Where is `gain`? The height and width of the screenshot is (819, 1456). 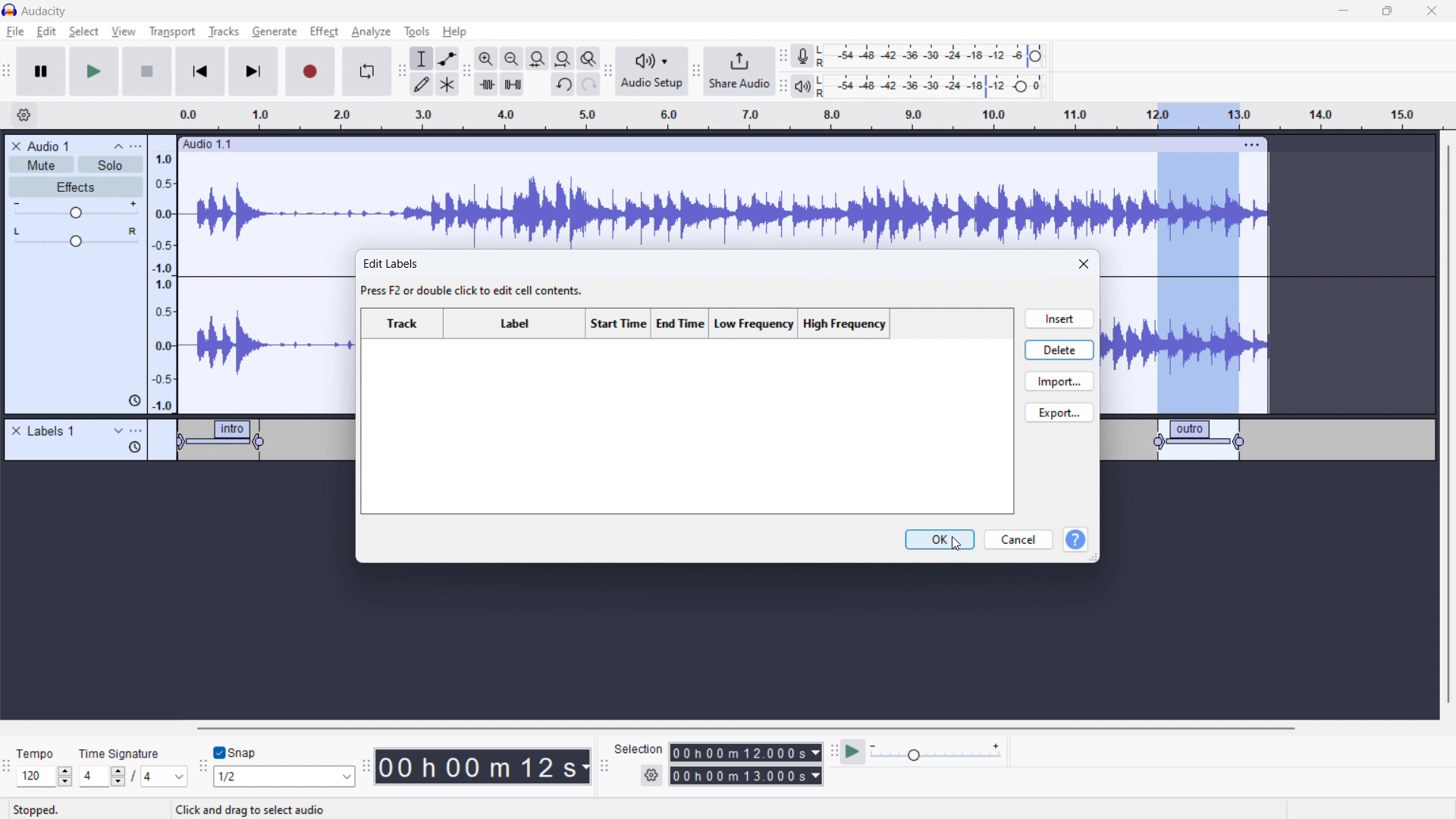
gain is located at coordinates (76, 210).